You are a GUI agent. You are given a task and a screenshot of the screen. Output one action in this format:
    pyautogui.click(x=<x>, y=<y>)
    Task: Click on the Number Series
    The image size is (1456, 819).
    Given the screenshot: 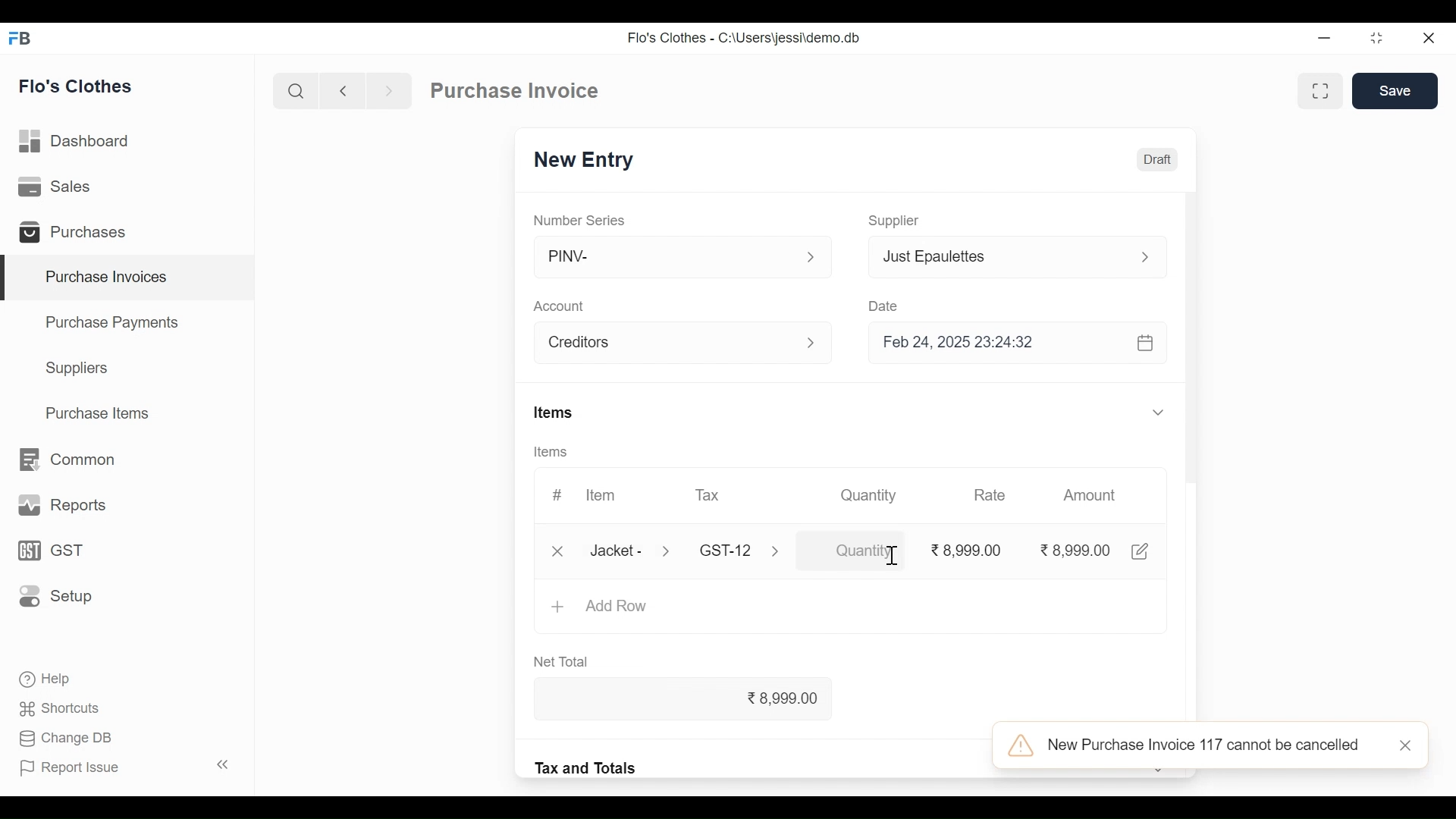 What is the action you would take?
    pyautogui.click(x=580, y=219)
    